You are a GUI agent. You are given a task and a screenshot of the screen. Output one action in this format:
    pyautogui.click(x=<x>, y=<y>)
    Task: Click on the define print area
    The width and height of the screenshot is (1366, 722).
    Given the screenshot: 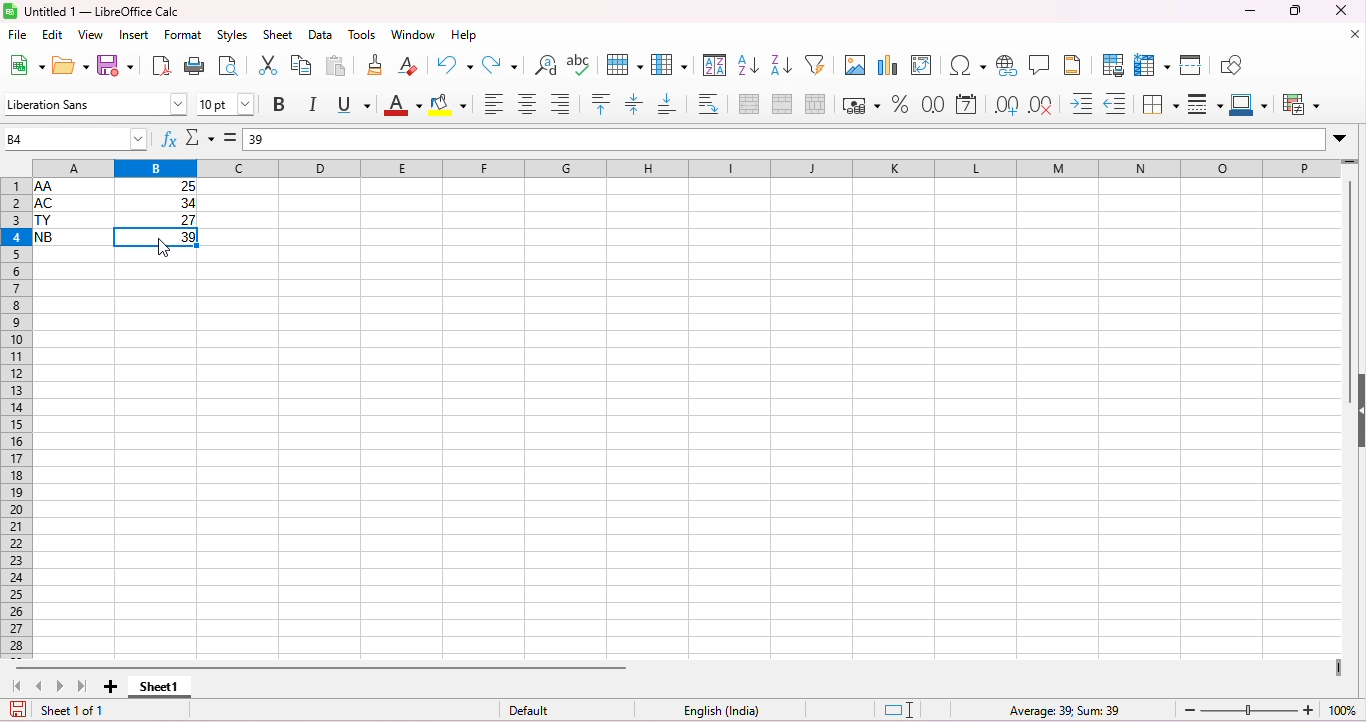 What is the action you would take?
    pyautogui.click(x=1114, y=66)
    